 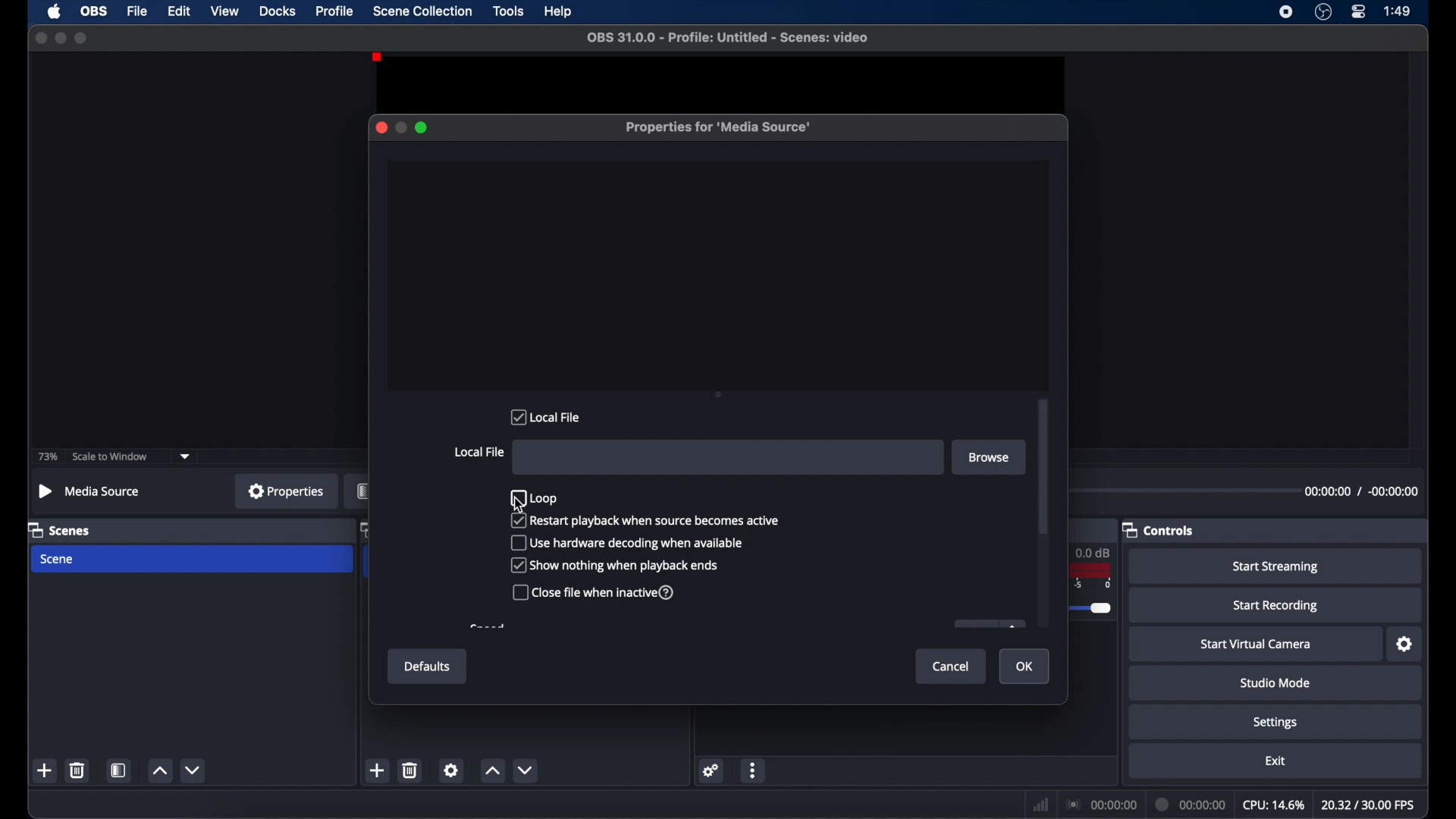 What do you see at coordinates (989, 624) in the screenshot?
I see `obscure icon` at bounding box center [989, 624].